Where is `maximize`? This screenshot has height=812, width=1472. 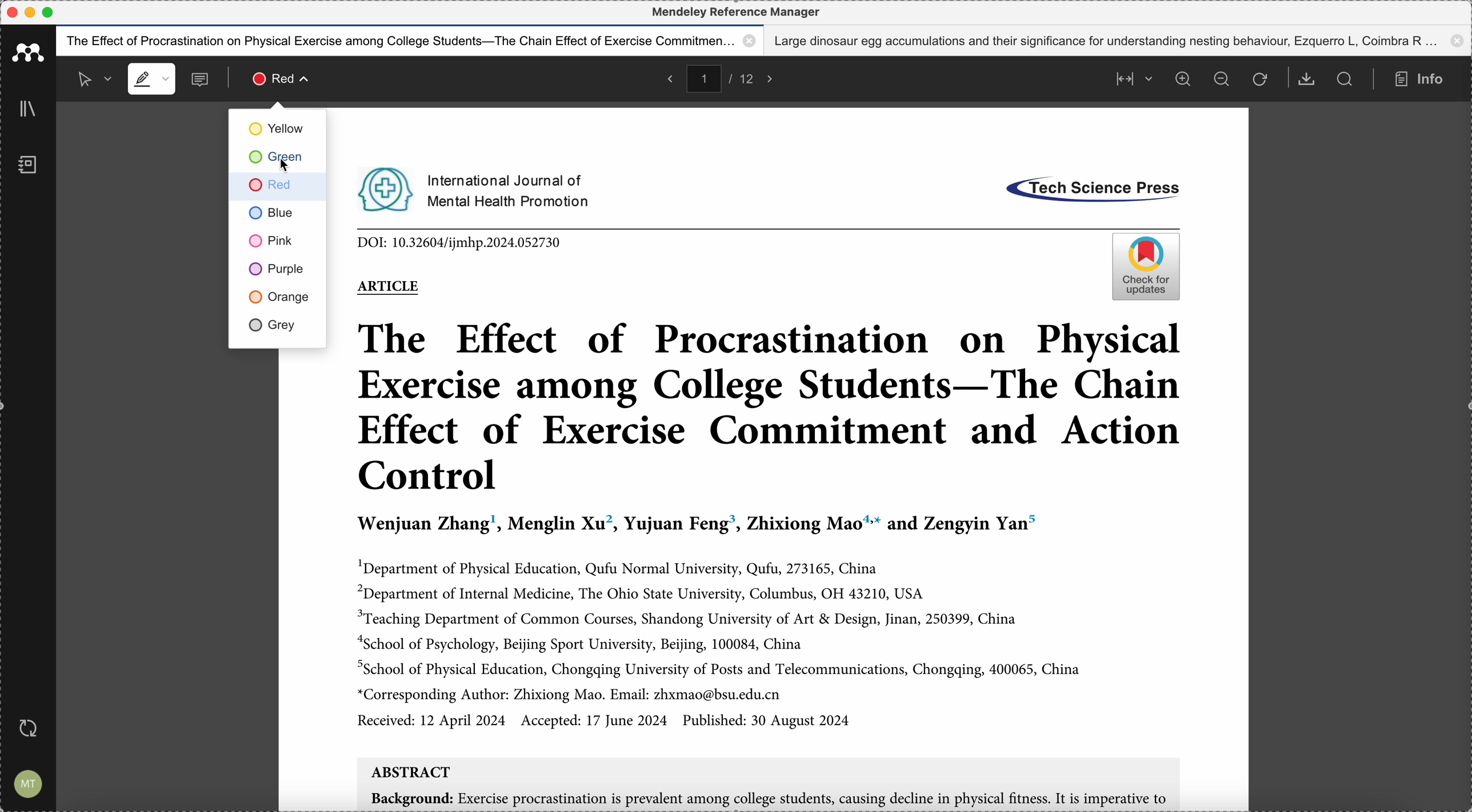 maximize is located at coordinates (49, 13).